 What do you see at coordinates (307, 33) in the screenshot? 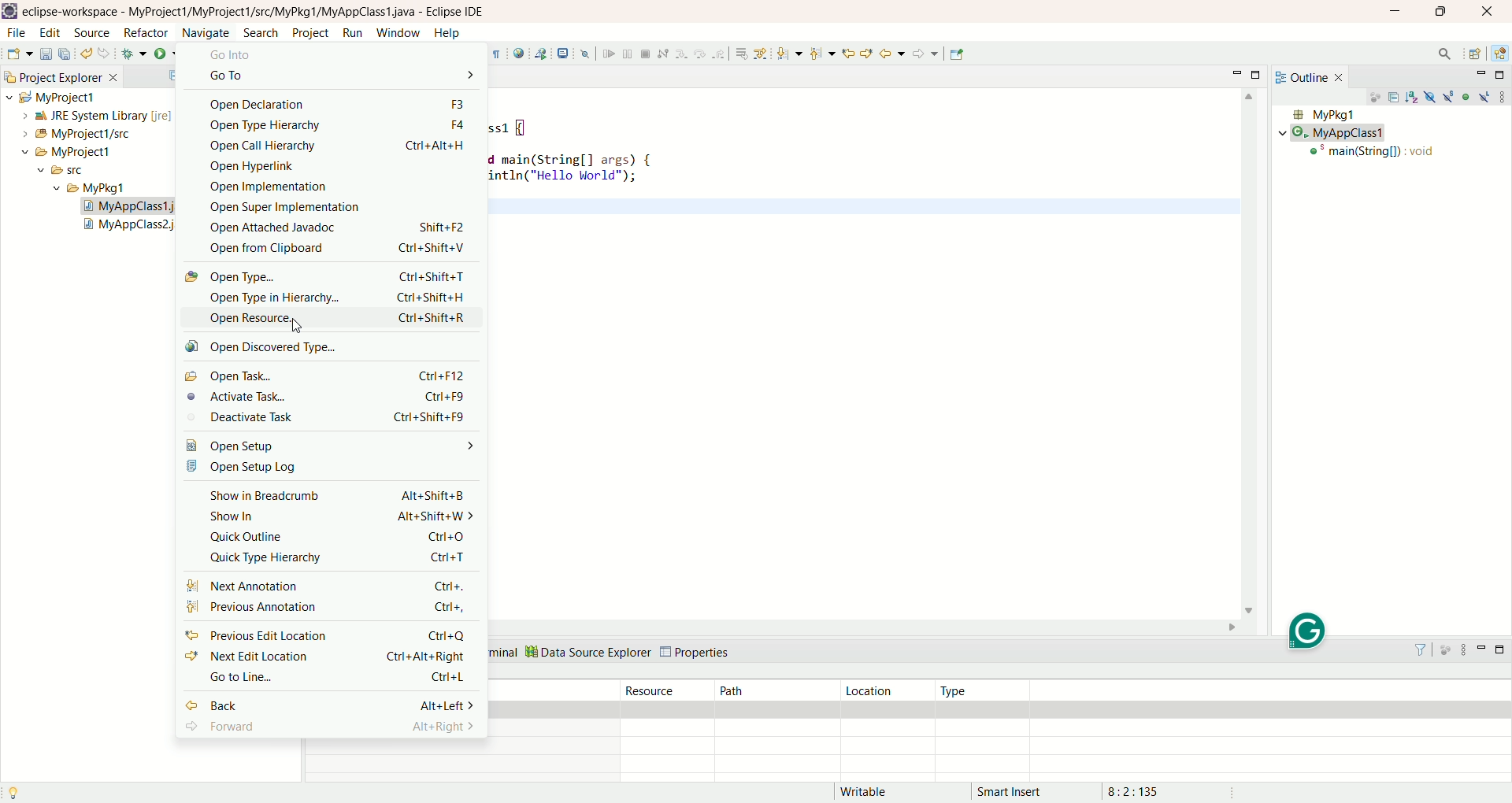
I see `project` at bounding box center [307, 33].